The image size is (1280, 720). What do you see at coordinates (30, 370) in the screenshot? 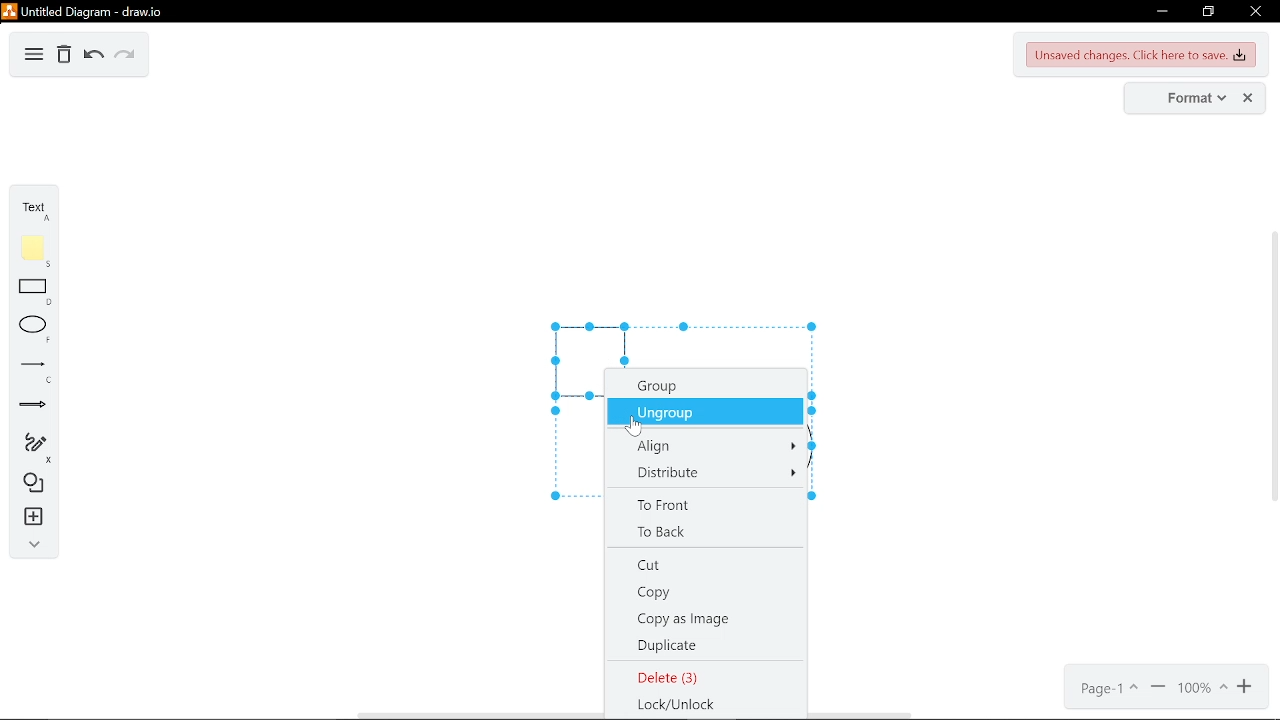
I see `line` at bounding box center [30, 370].